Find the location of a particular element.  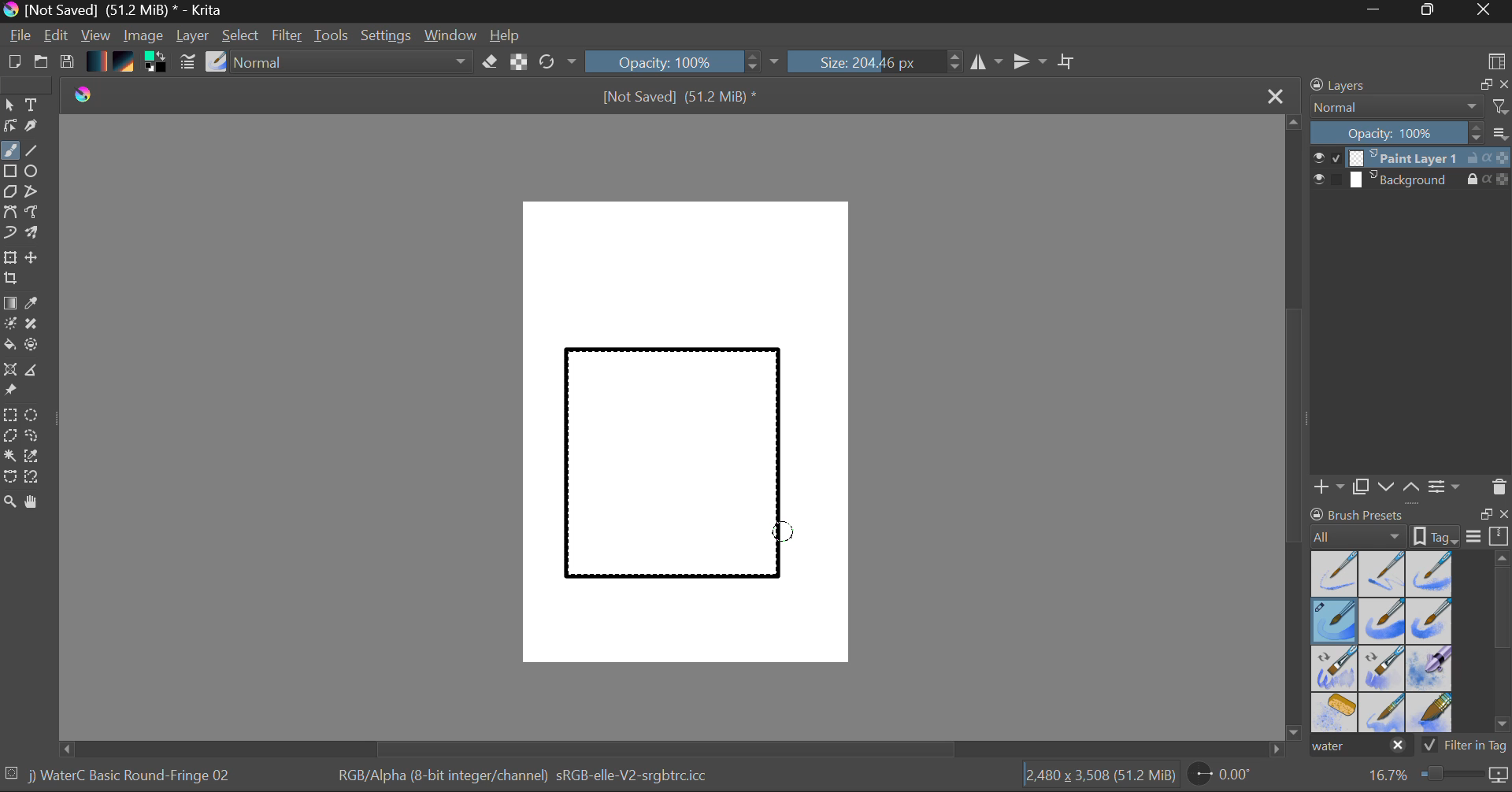

Zoom is located at coordinates (1436, 775).